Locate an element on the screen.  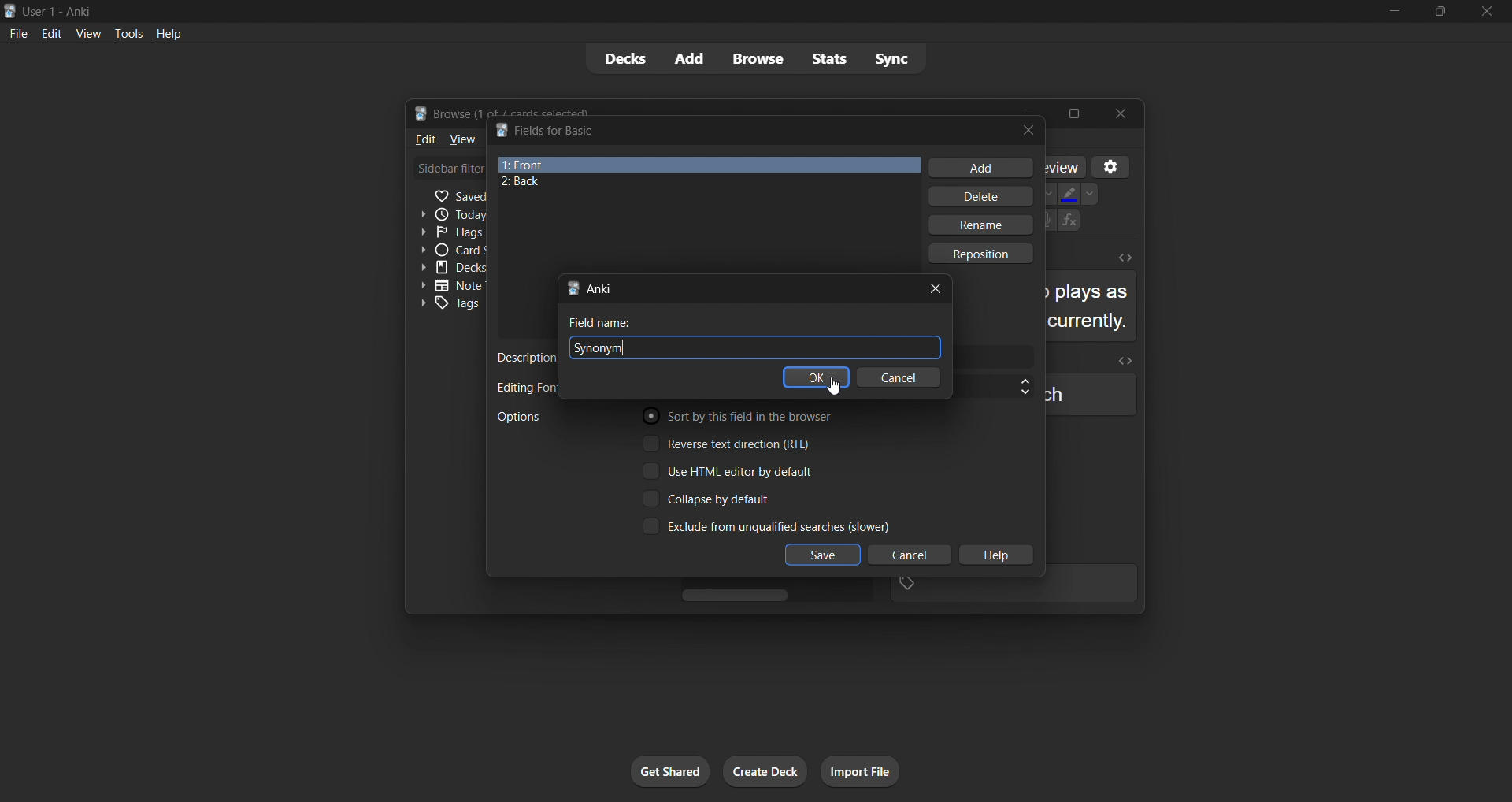
Down-arrow is located at coordinates (1093, 192).